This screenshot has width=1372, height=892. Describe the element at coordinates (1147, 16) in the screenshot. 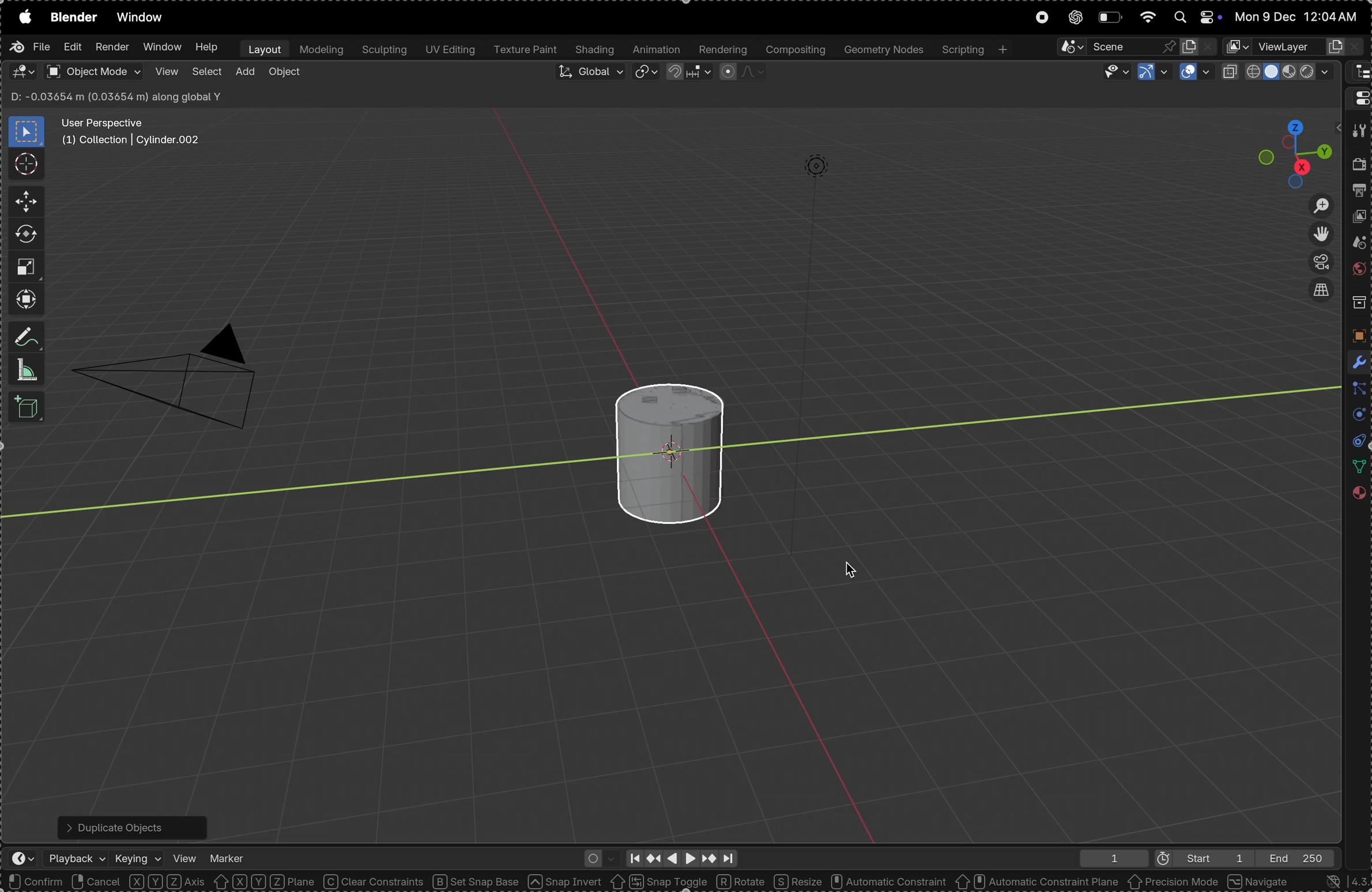

I see `wifi` at that location.